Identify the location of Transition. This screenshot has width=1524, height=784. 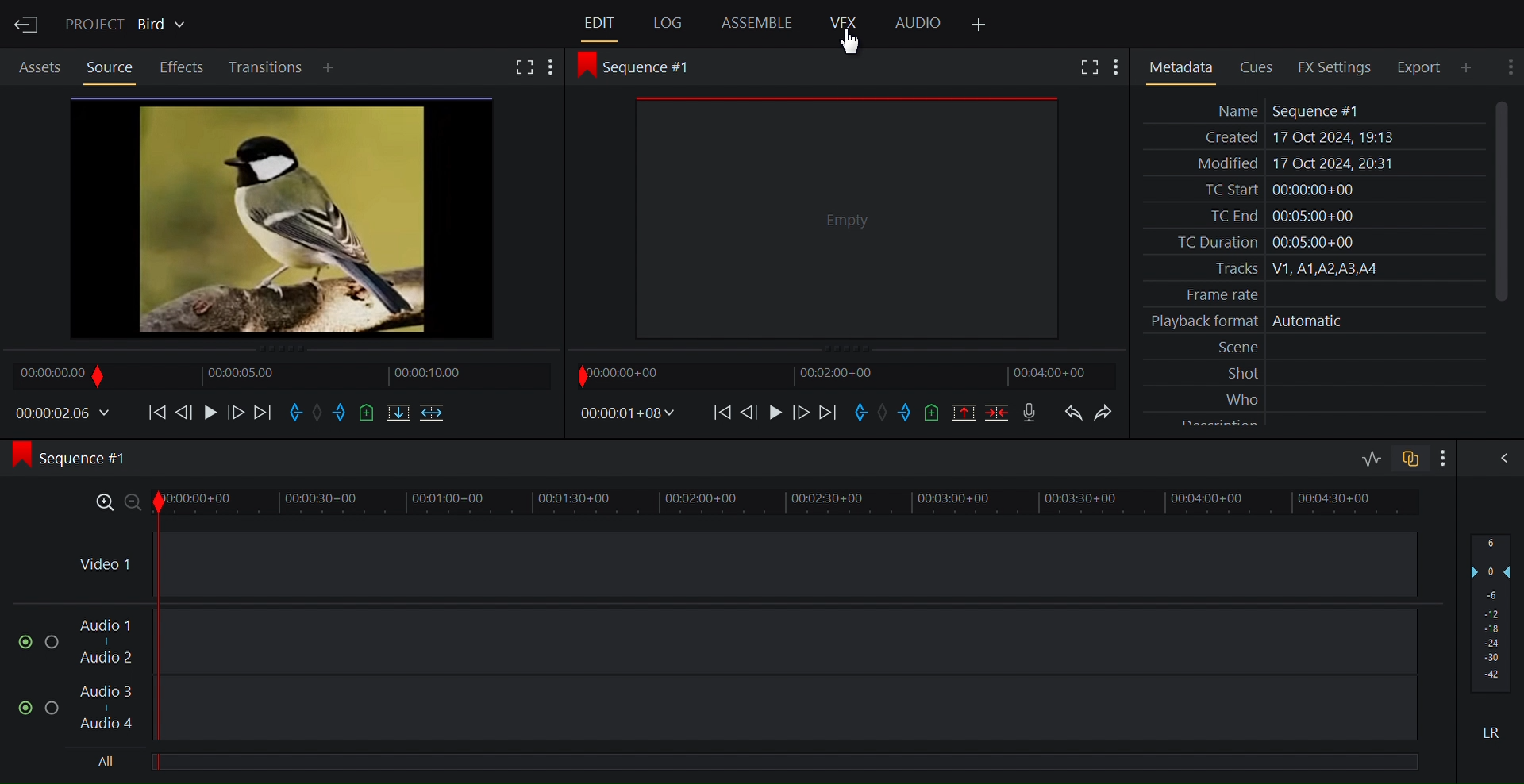
(264, 67).